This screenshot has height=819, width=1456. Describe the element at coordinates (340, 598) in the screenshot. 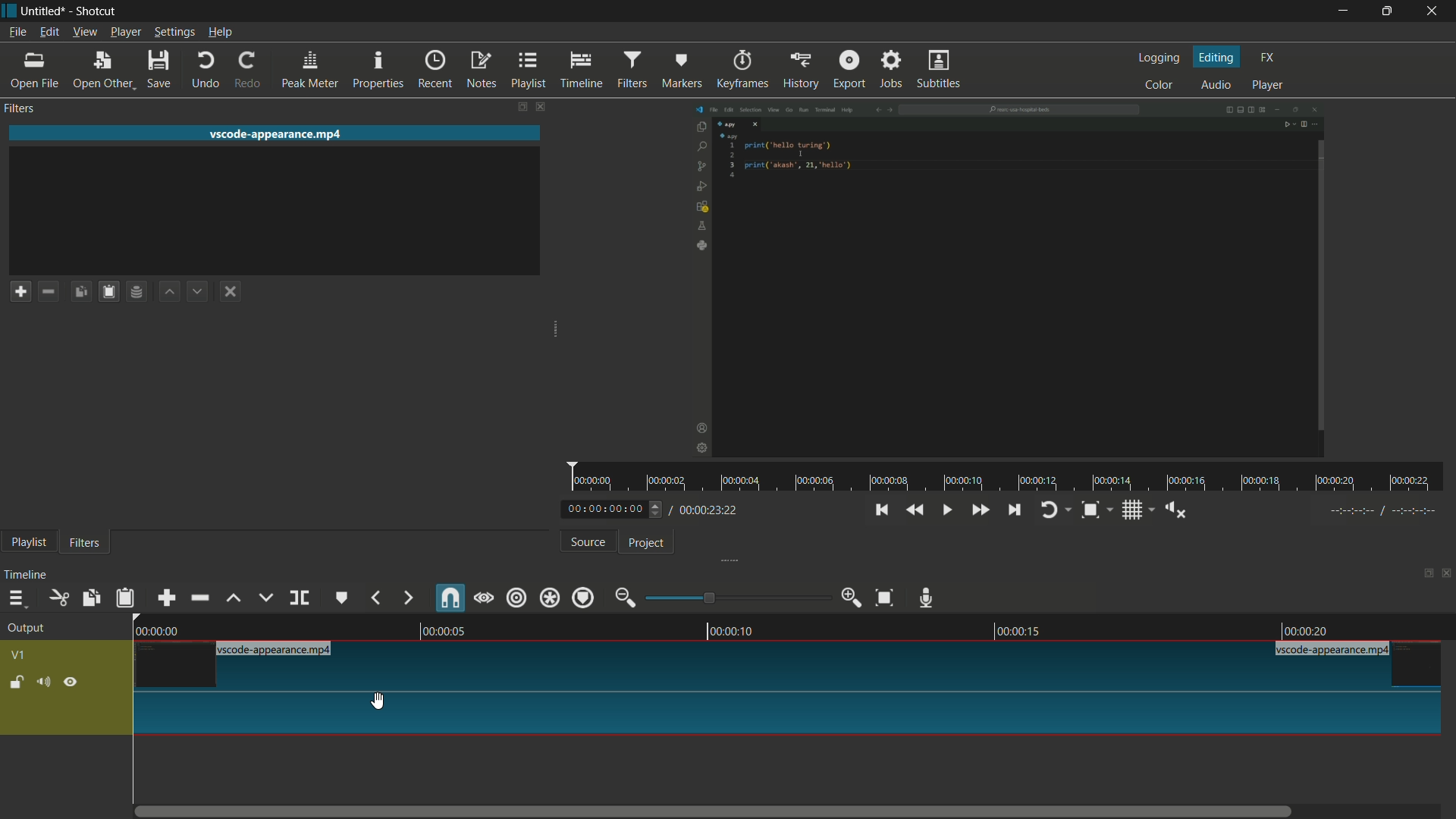

I see `create or edit marker` at that location.